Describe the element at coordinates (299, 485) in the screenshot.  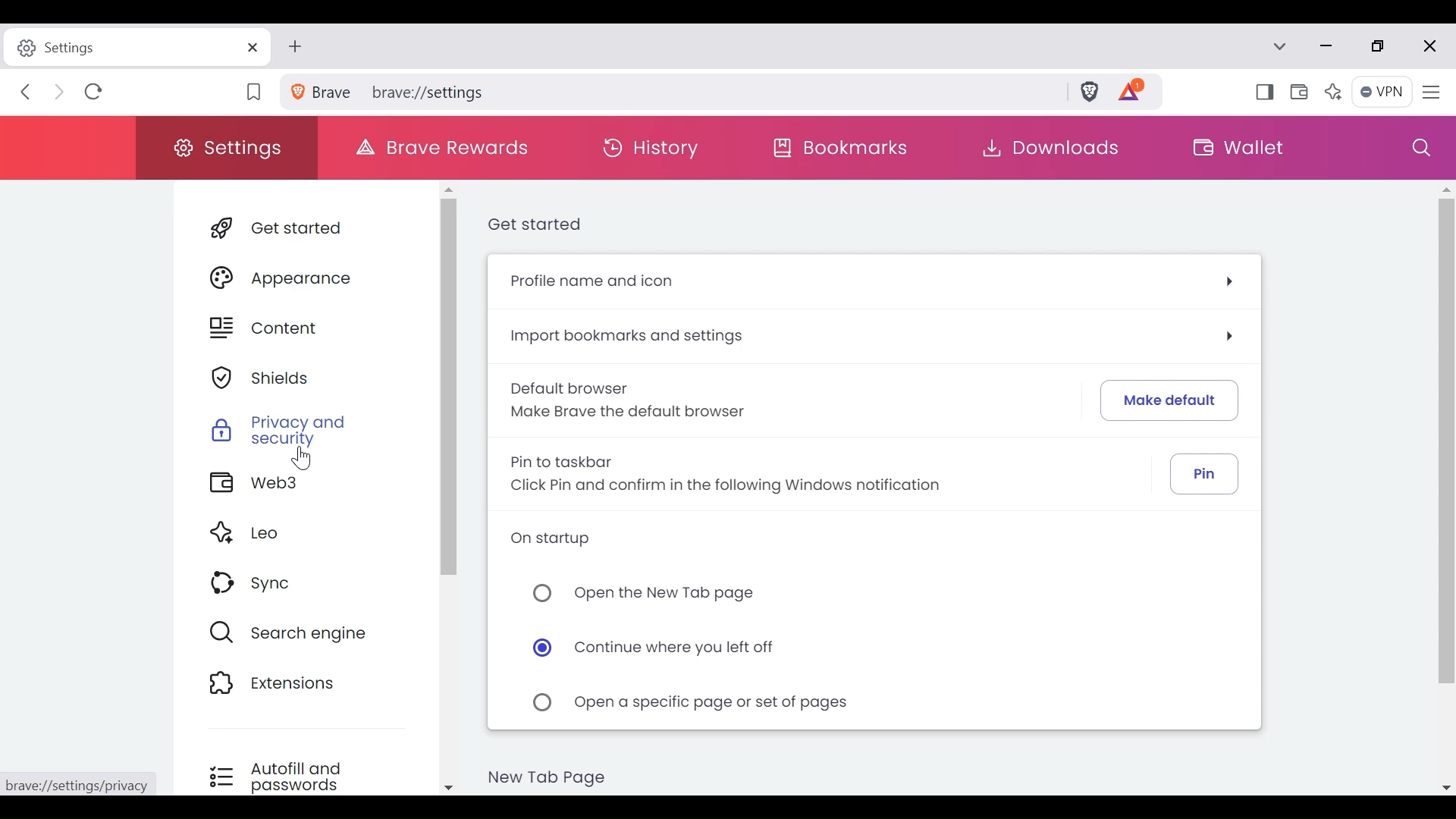
I see `Web3` at that location.